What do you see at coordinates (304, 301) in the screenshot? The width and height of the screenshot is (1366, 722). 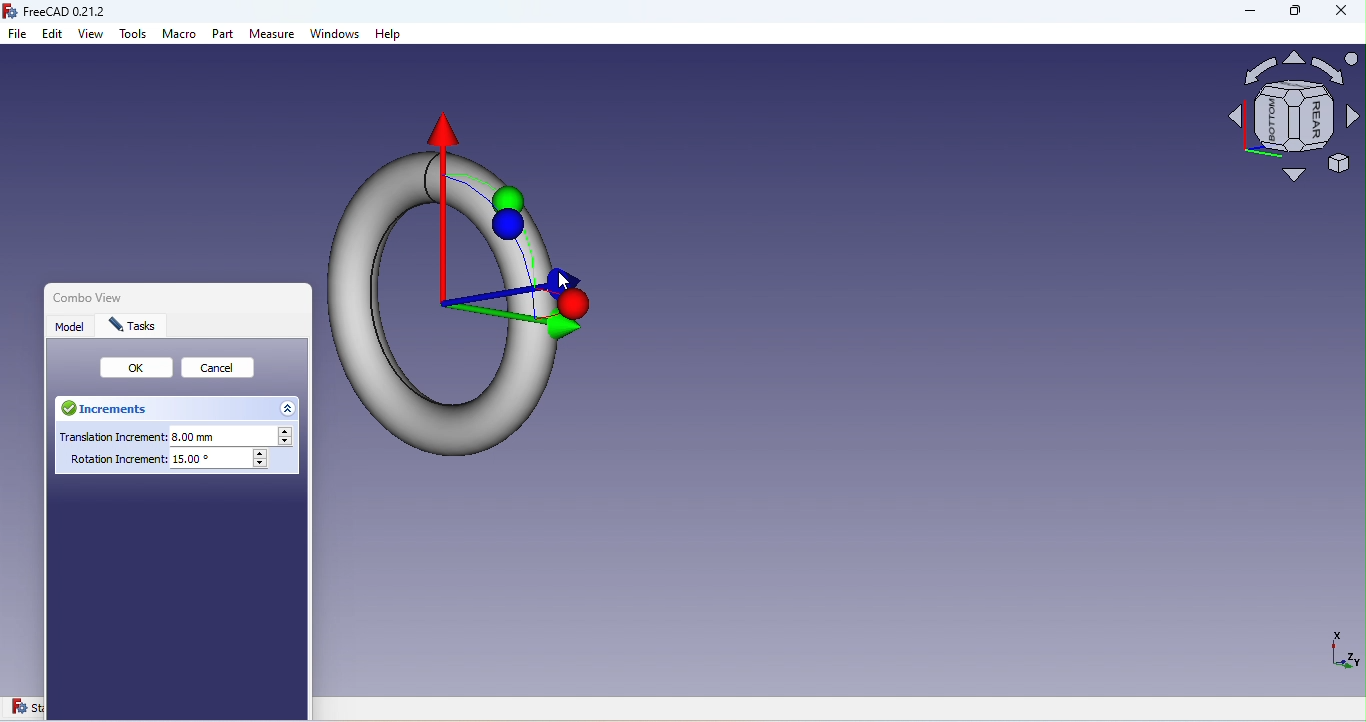 I see `Close` at bounding box center [304, 301].